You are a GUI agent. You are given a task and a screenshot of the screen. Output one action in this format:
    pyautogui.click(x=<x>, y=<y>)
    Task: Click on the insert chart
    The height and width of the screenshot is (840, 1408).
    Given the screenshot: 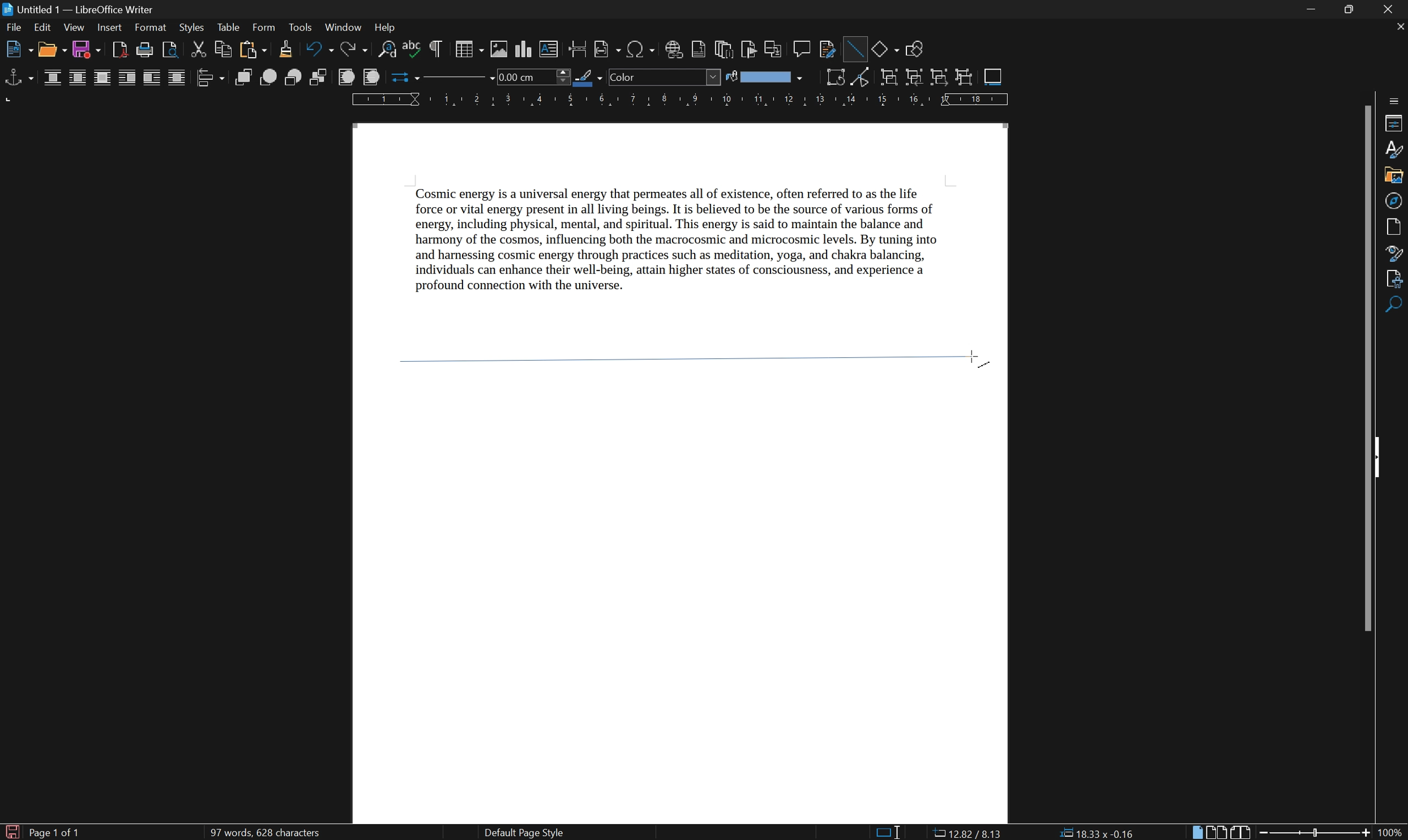 What is the action you would take?
    pyautogui.click(x=525, y=49)
    